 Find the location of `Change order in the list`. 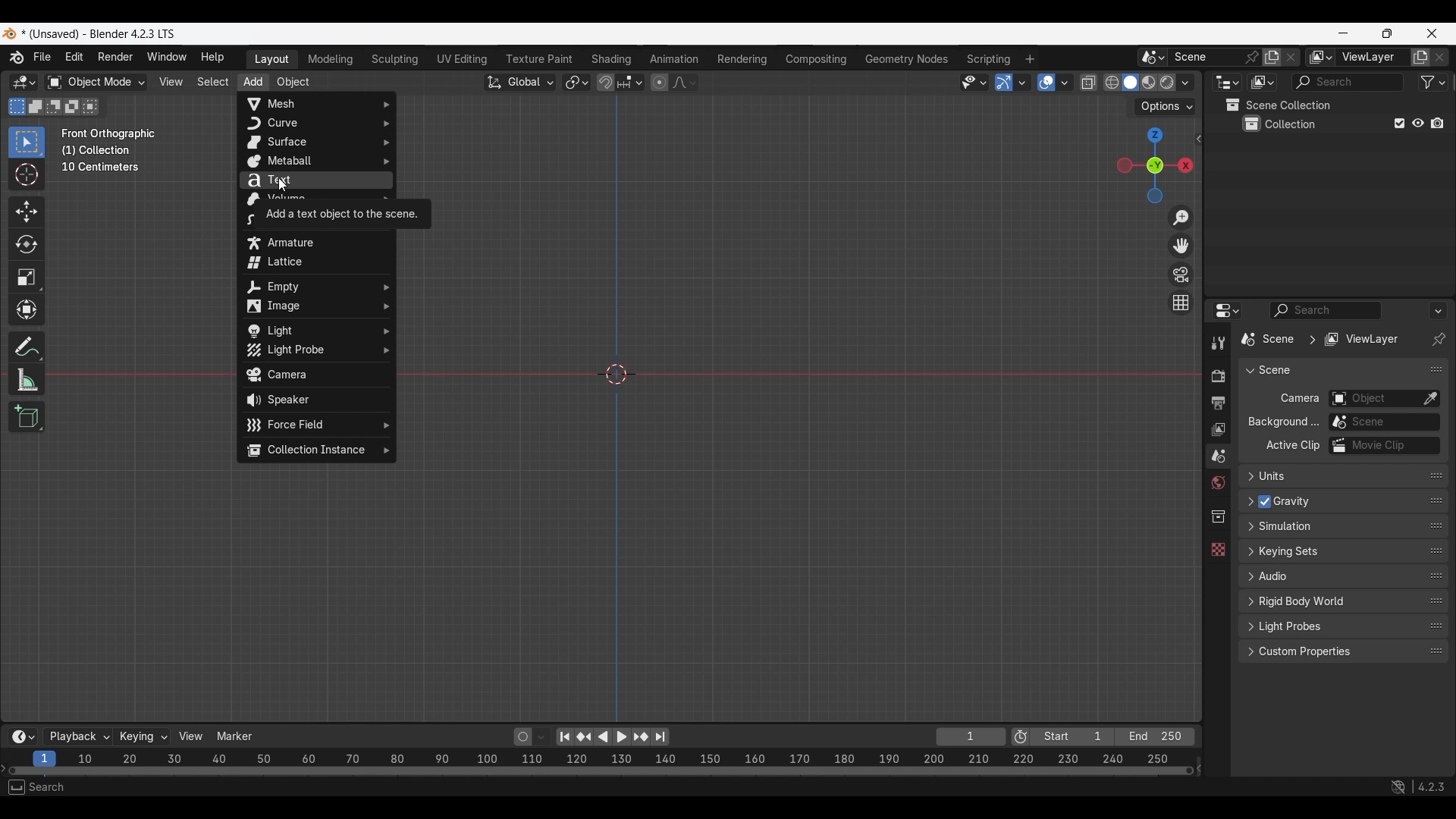

Change order in the list is located at coordinates (1436, 551).